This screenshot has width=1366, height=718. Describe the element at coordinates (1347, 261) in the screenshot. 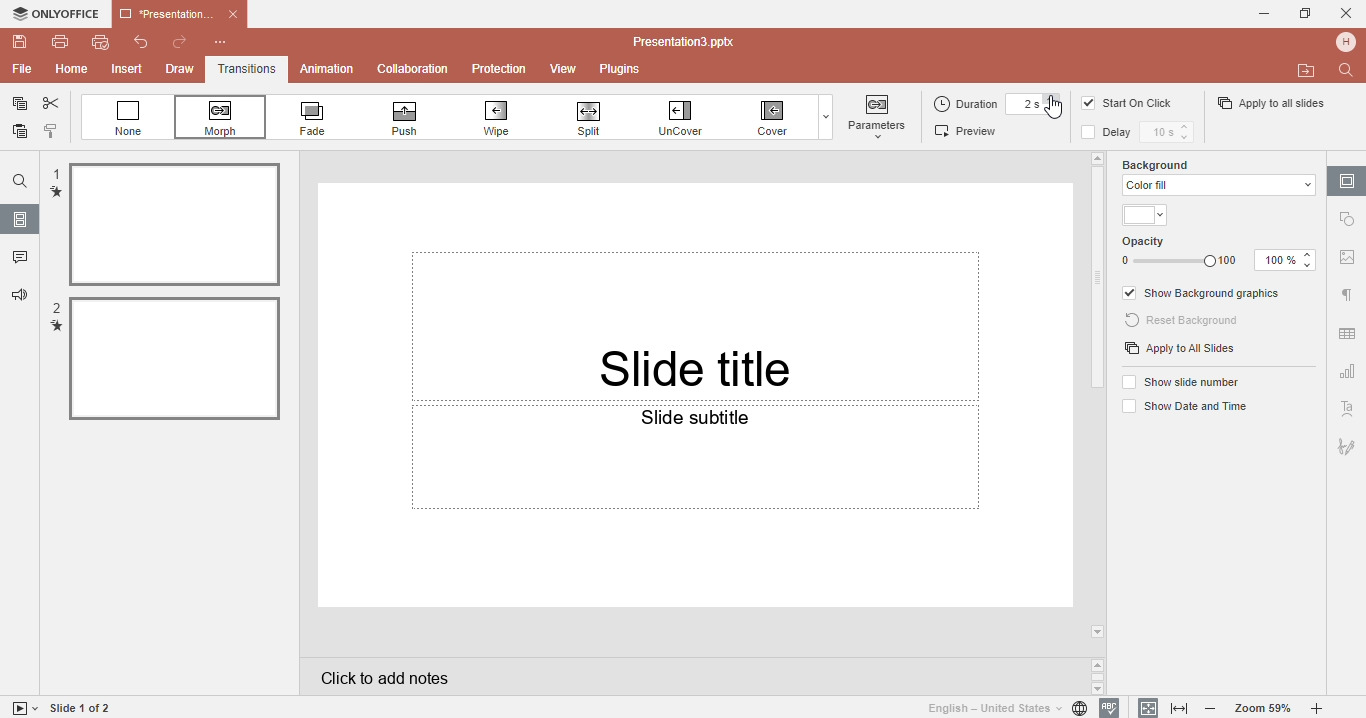

I see `Image settings` at that location.